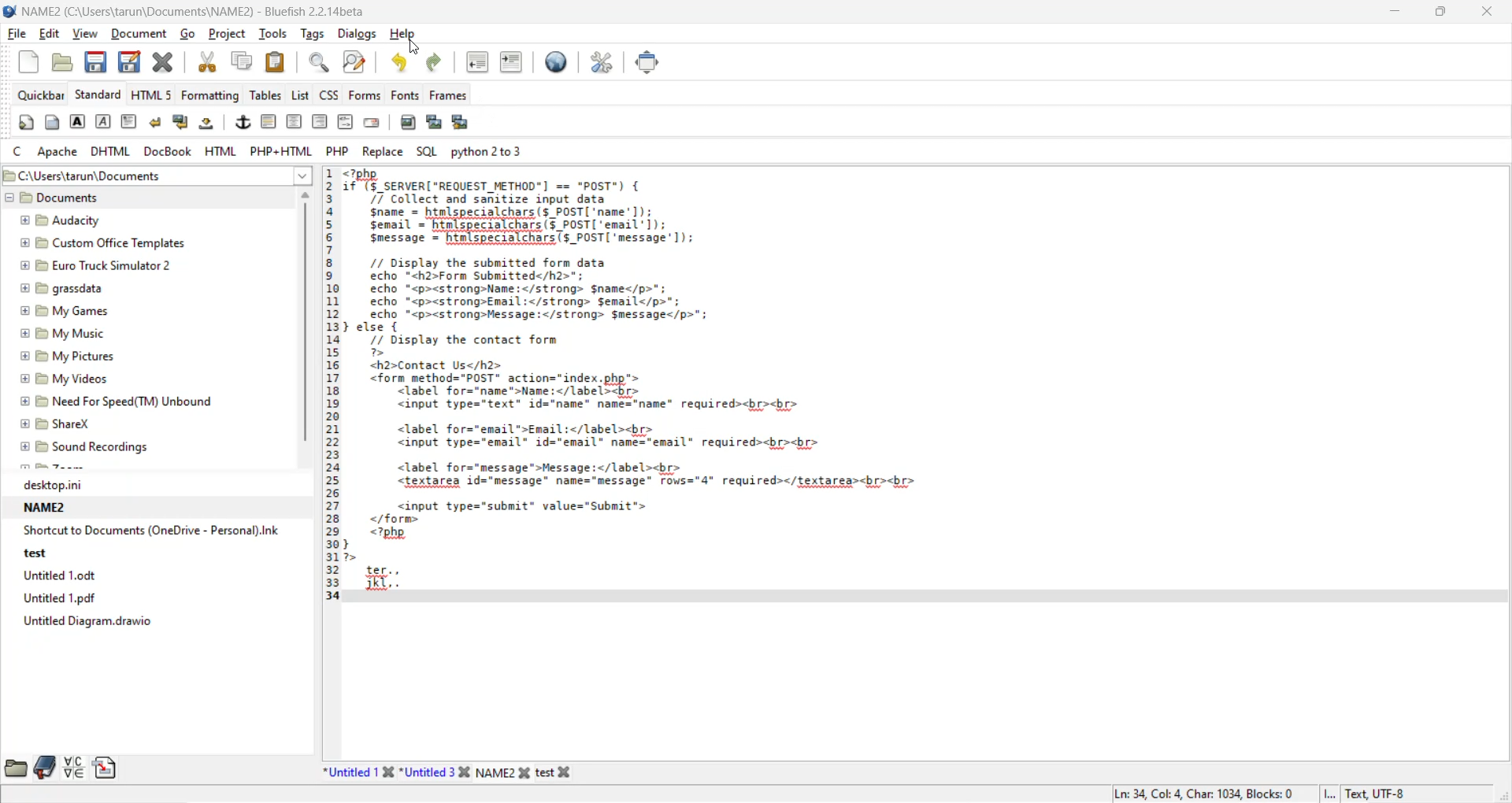  What do you see at coordinates (281, 149) in the screenshot?
I see `php html` at bounding box center [281, 149].